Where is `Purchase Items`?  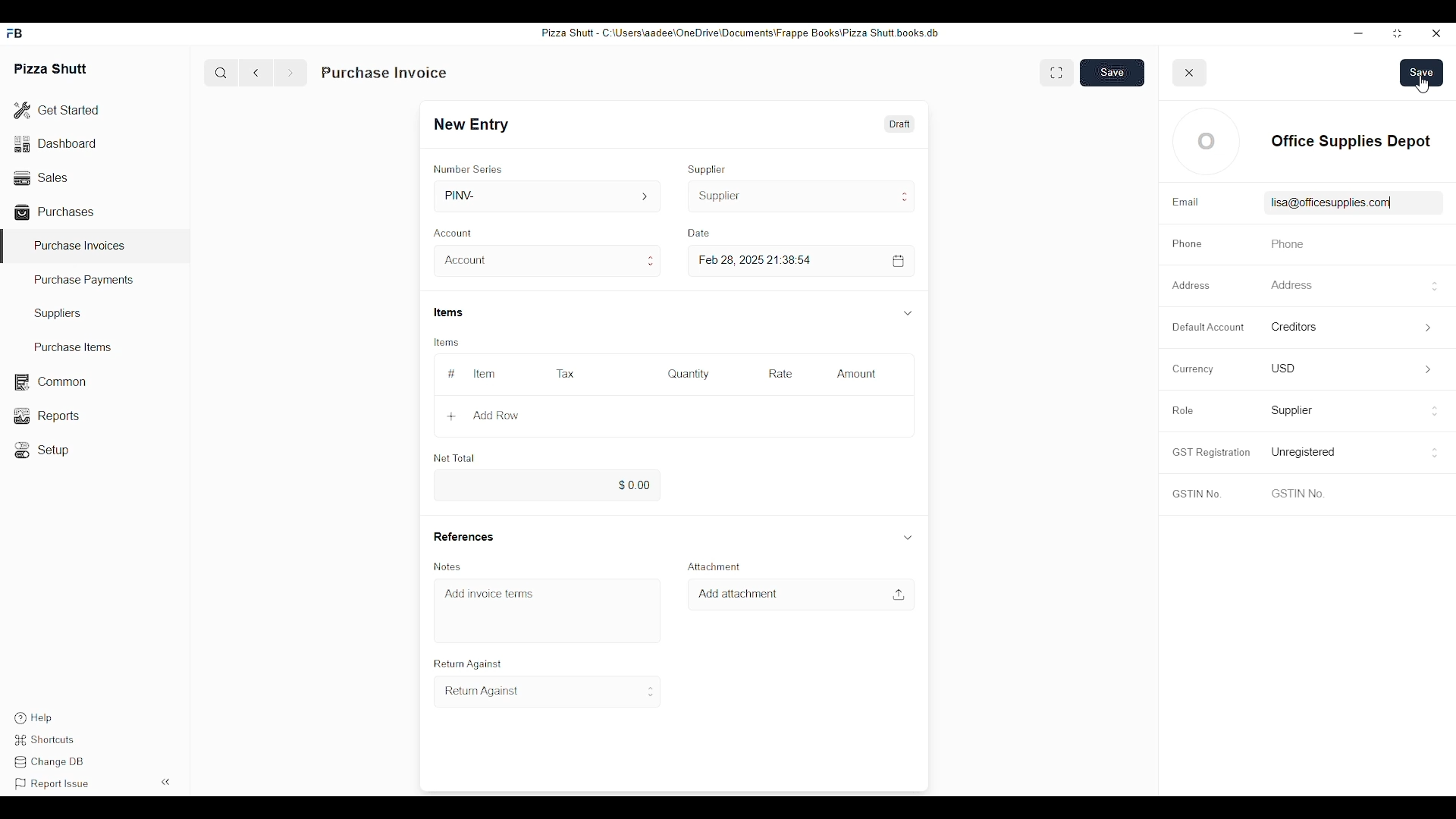
Purchase Items is located at coordinates (67, 347).